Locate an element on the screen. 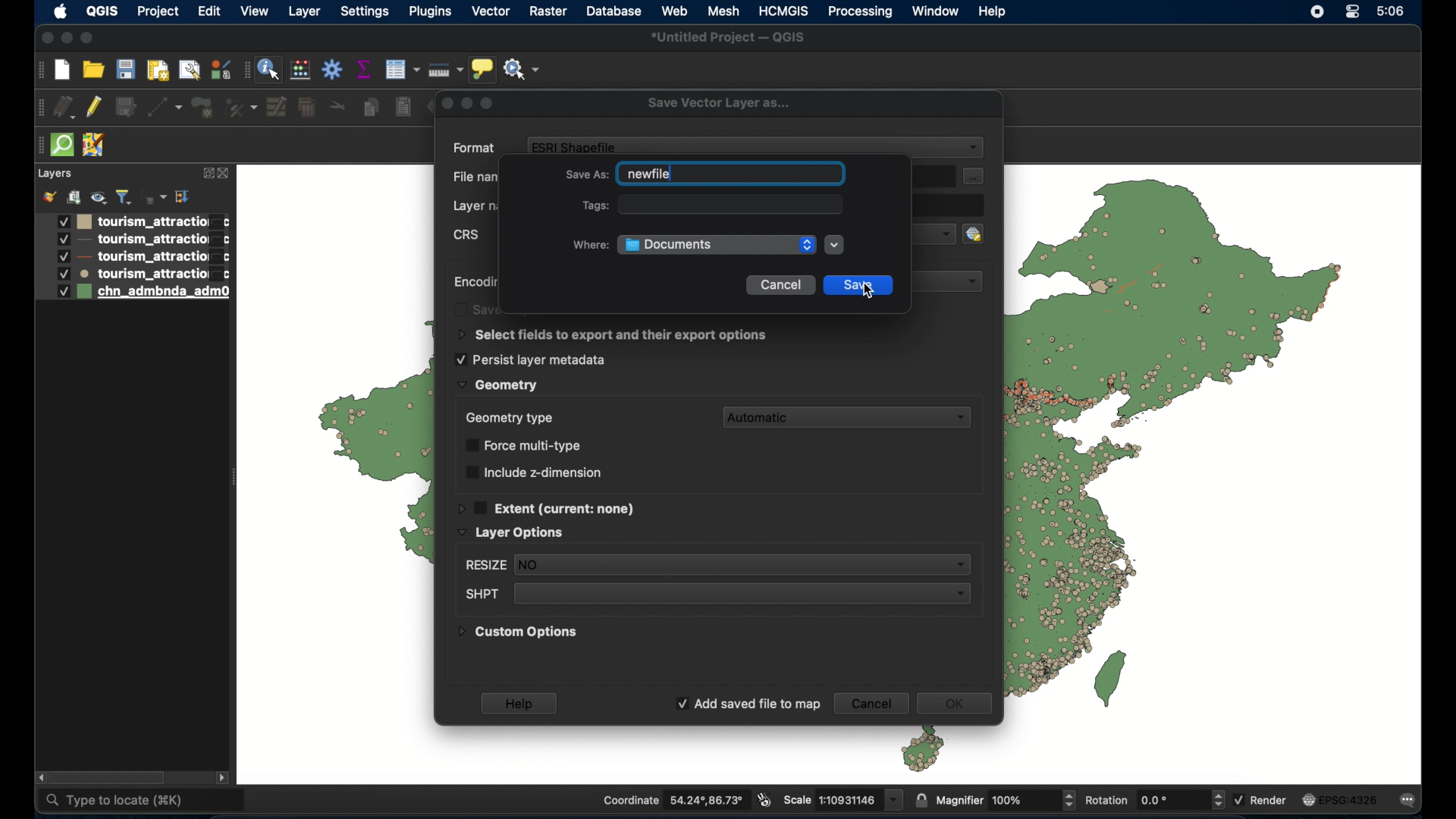 The height and width of the screenshot is (819, 1456). control center is located at coordinates (1355, 13).